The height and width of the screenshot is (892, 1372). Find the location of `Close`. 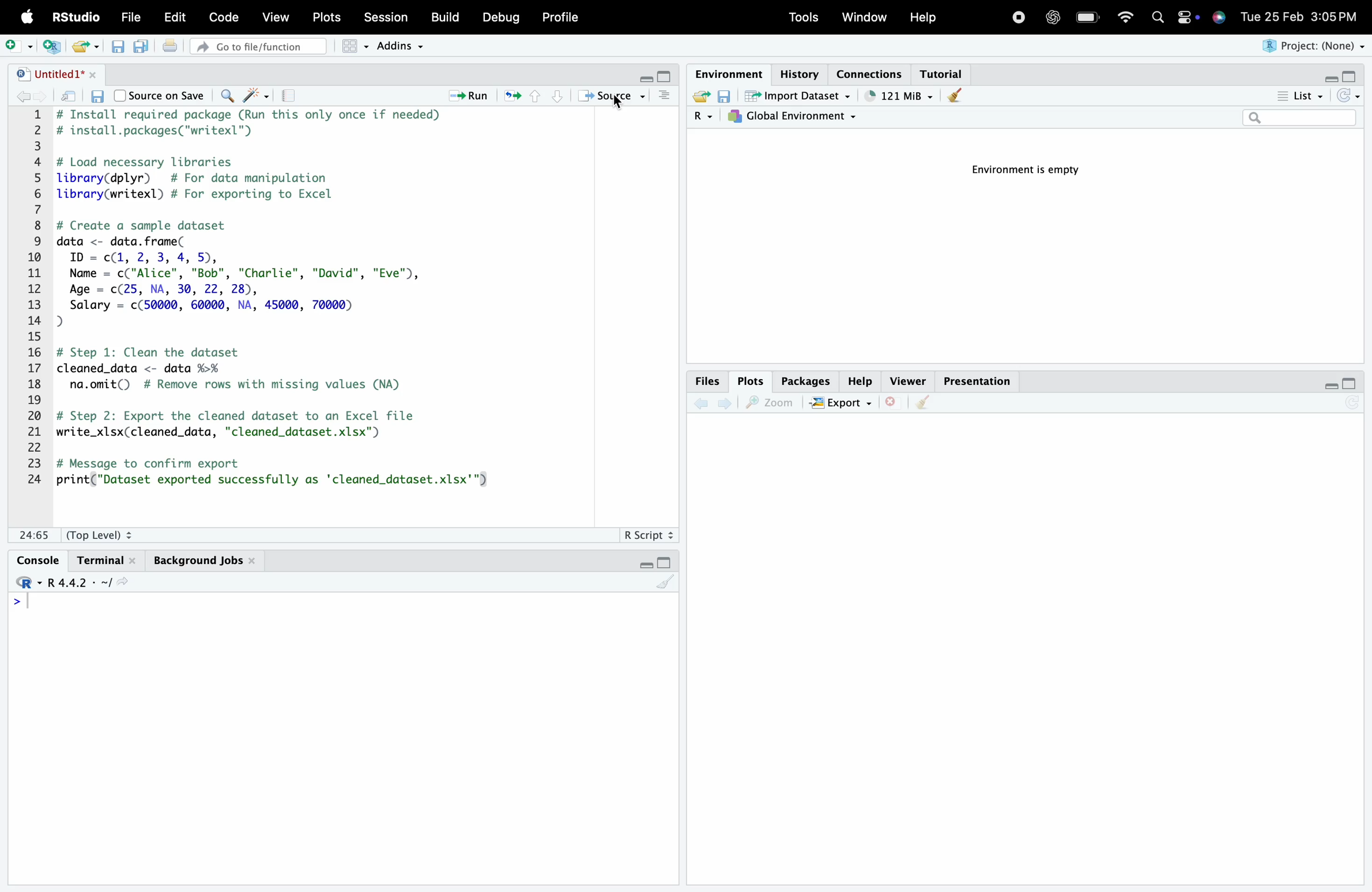

Close is located at coordinates (895, 403).